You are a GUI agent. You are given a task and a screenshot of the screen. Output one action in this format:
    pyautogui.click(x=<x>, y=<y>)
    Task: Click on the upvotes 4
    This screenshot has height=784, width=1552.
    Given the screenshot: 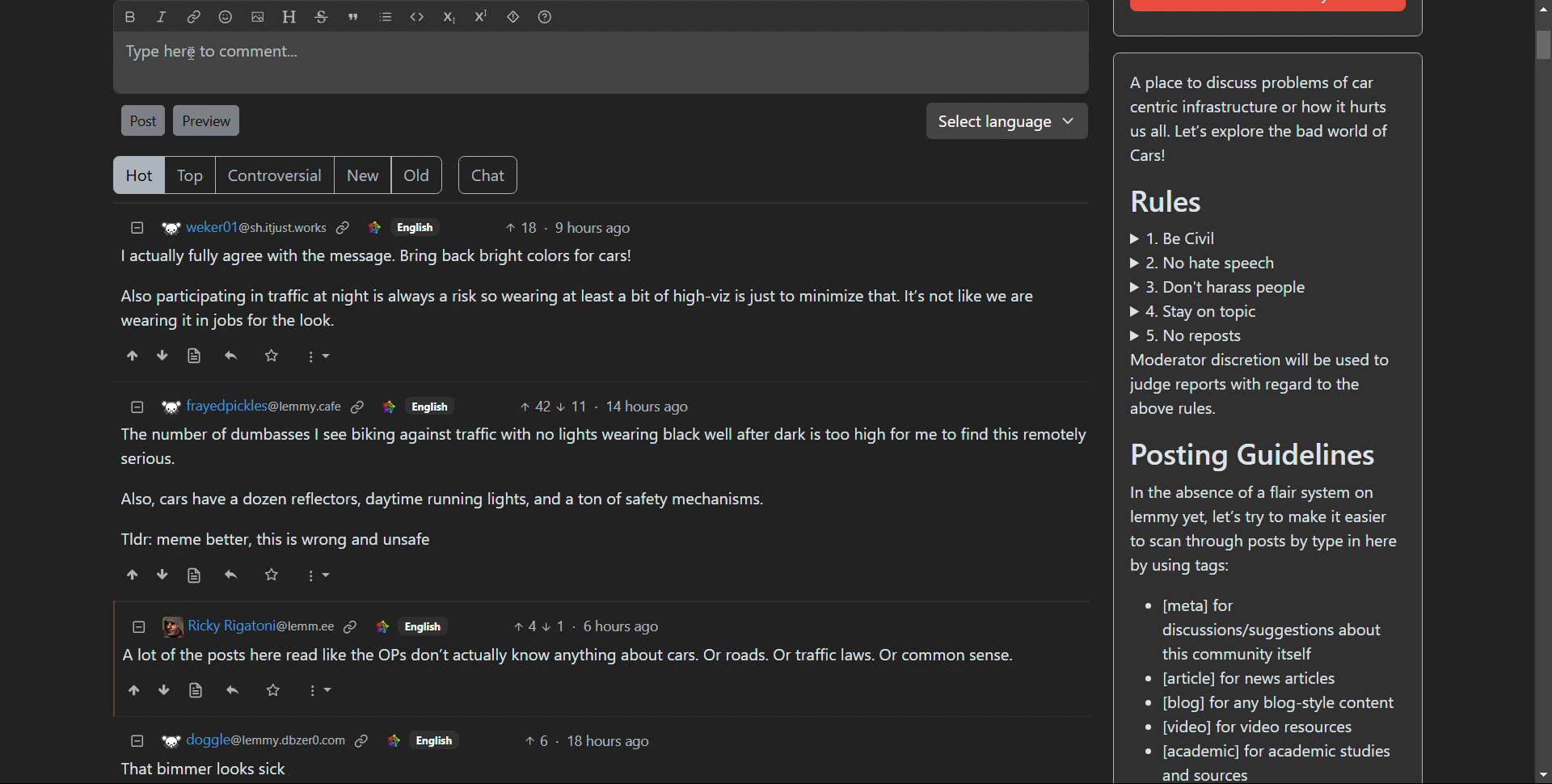 What is the action you would take?
    pyautogui.click(x=524, y=626)
    